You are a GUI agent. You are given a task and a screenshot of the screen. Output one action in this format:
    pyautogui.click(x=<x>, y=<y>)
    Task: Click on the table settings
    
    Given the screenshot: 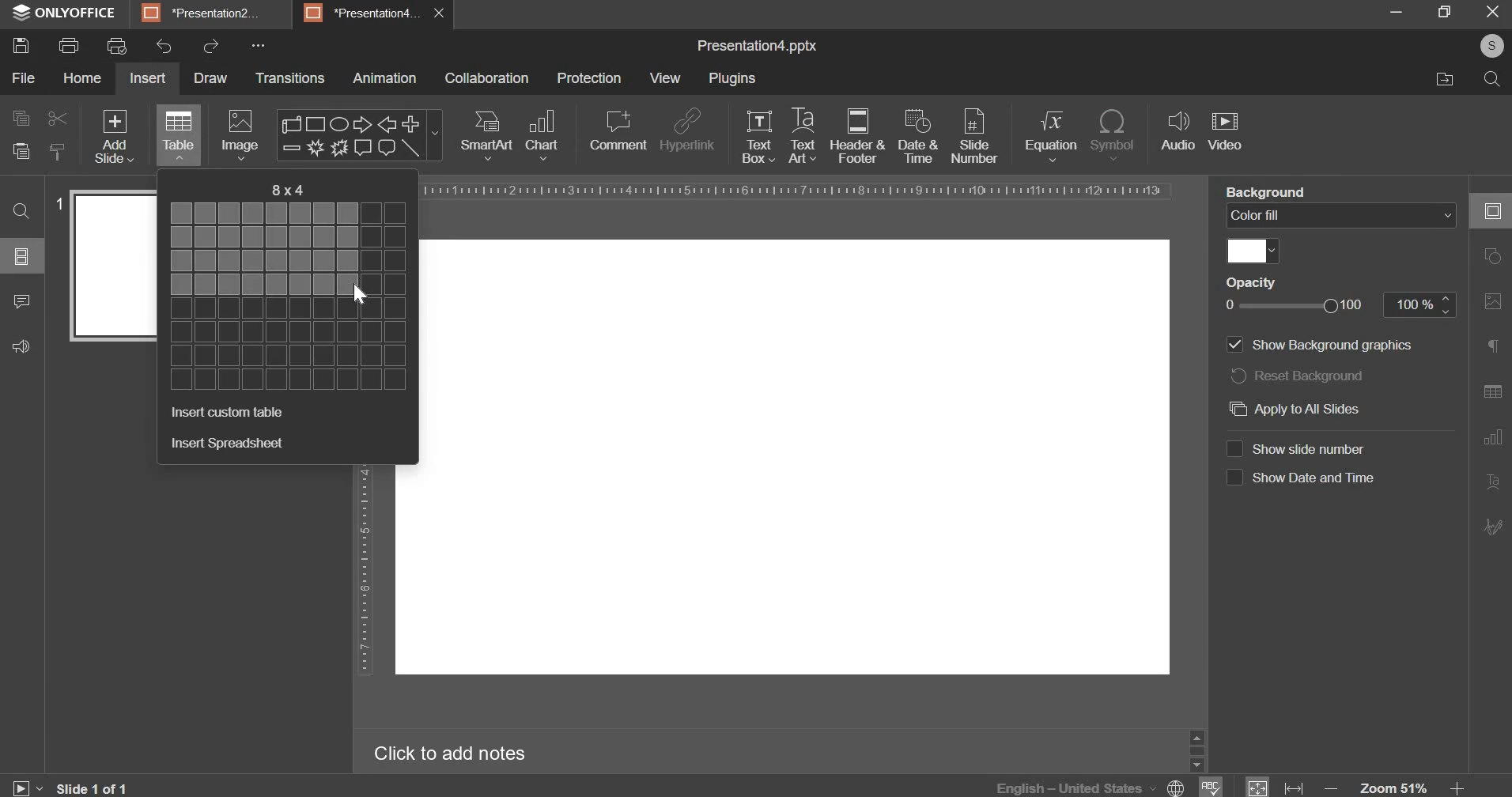 What is the action you would take?
    pyautogui.click(x=1496, y=392)
    